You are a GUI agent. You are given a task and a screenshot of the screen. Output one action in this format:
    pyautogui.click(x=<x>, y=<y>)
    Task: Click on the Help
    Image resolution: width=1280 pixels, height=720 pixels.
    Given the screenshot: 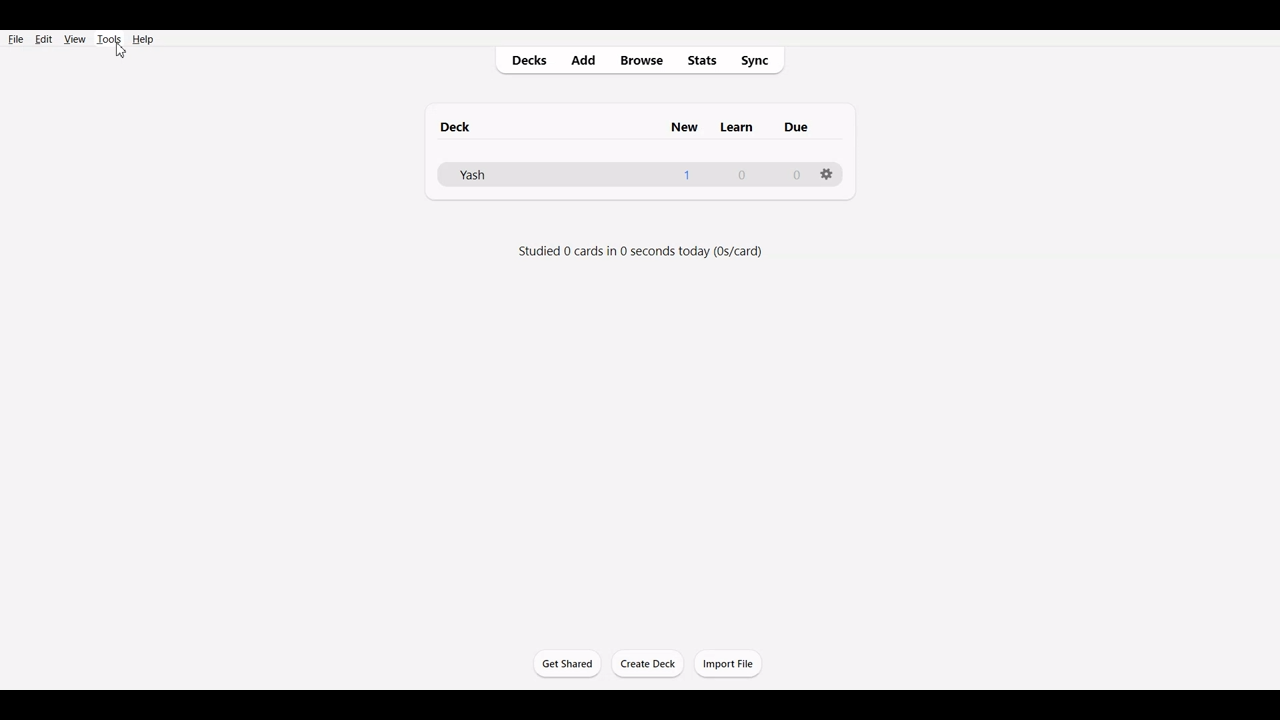 What is the action you would take?
    pyautogui.click(x=142, y=39)
    